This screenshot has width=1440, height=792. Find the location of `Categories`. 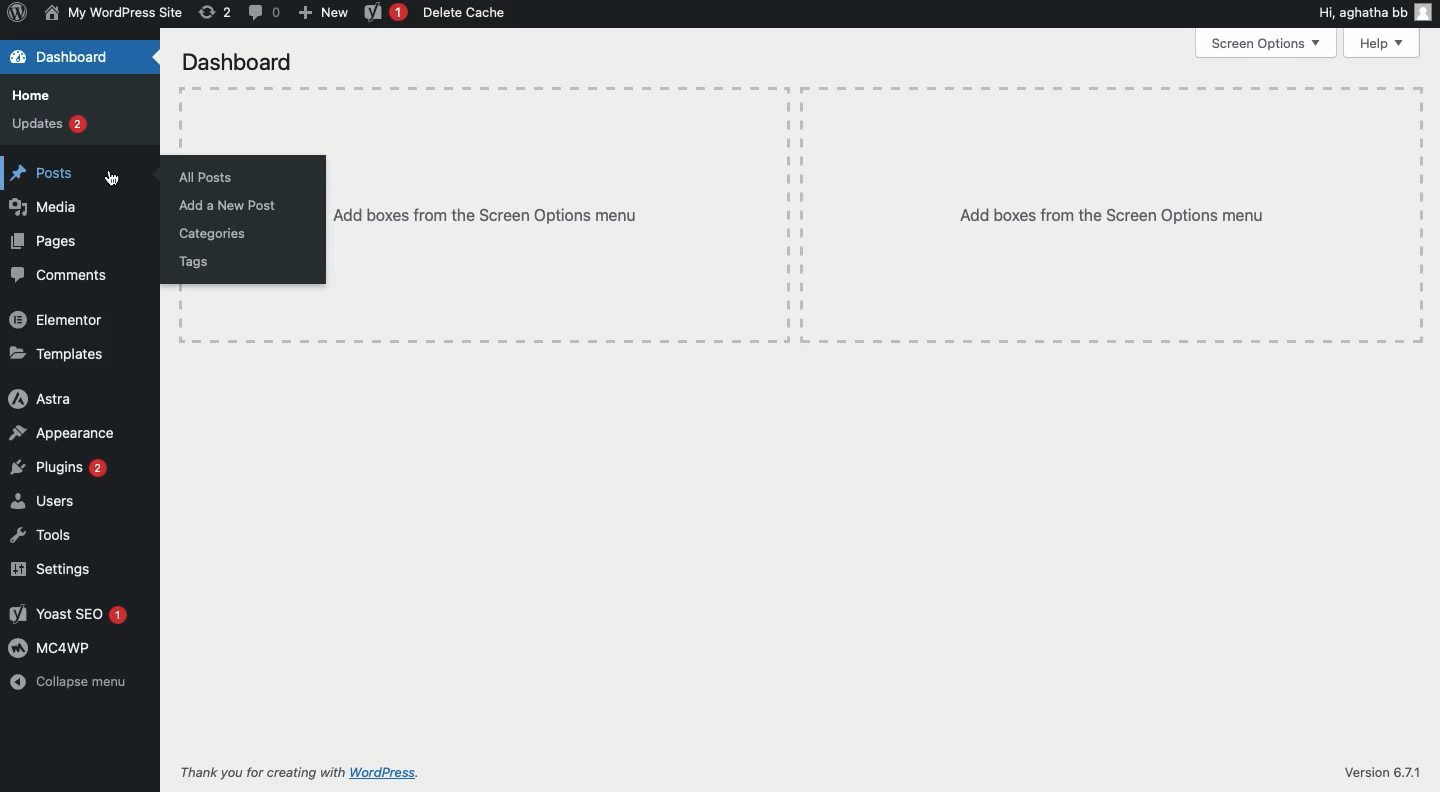

Categories is located at coordinates (213, 235).